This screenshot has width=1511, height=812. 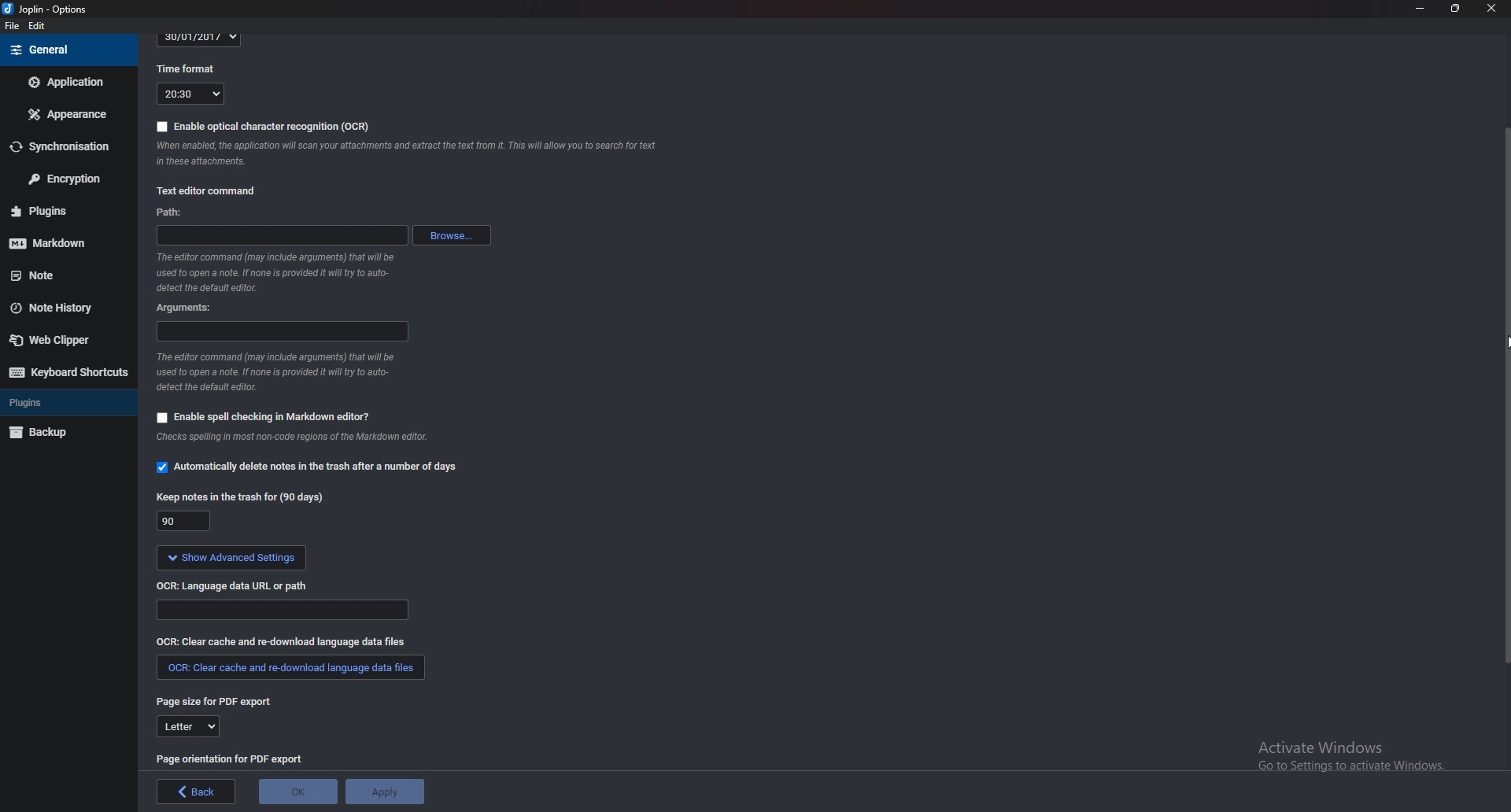 What do you see at coordinates (66, 177) in the screenshot?
I see `Encryption` at bounding box center [66, 177].